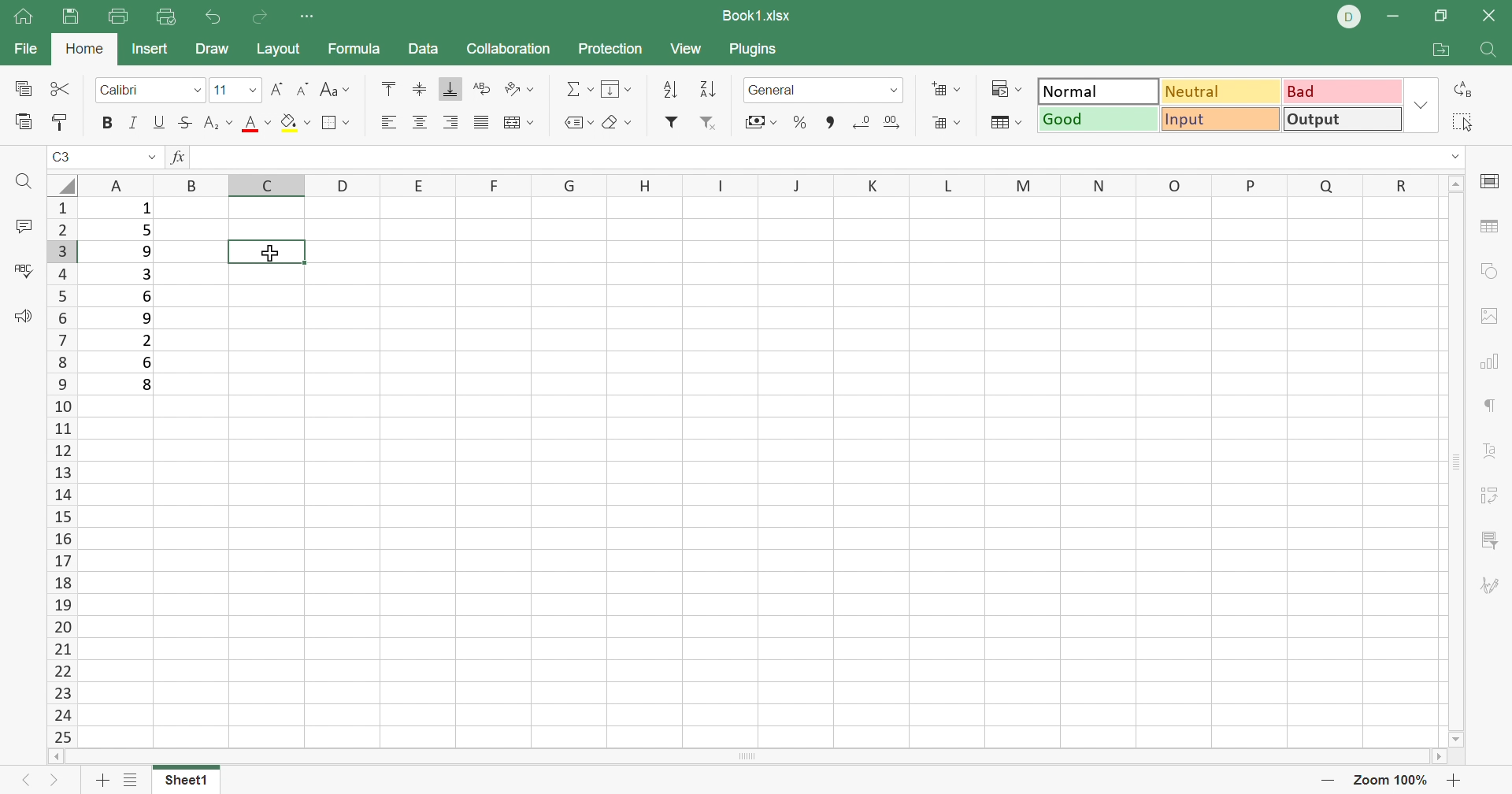  I want to click on Paste, so click(23, 121).